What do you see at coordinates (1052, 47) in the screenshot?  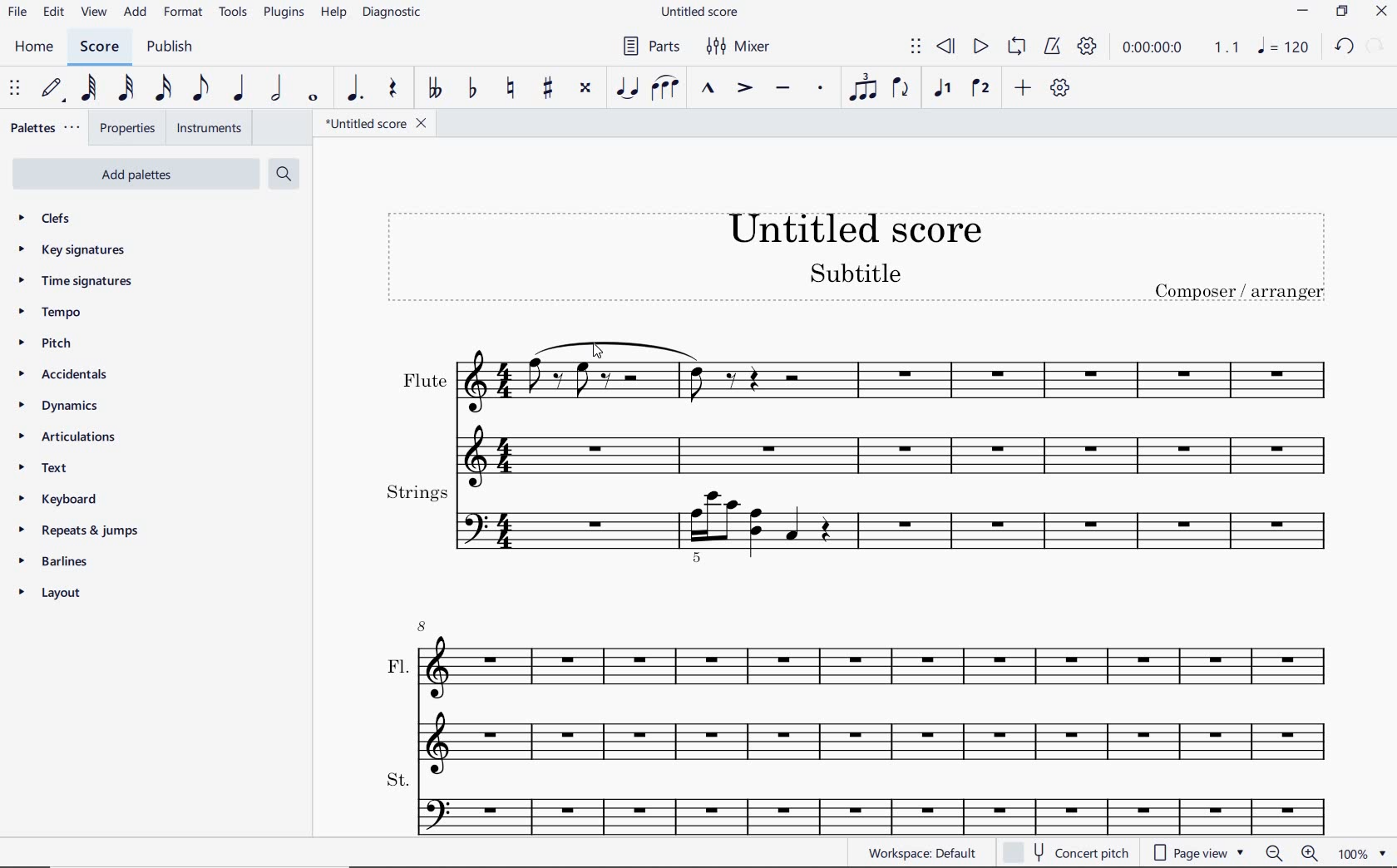 I see `METRONOME` at bounding box center [1052, 47].